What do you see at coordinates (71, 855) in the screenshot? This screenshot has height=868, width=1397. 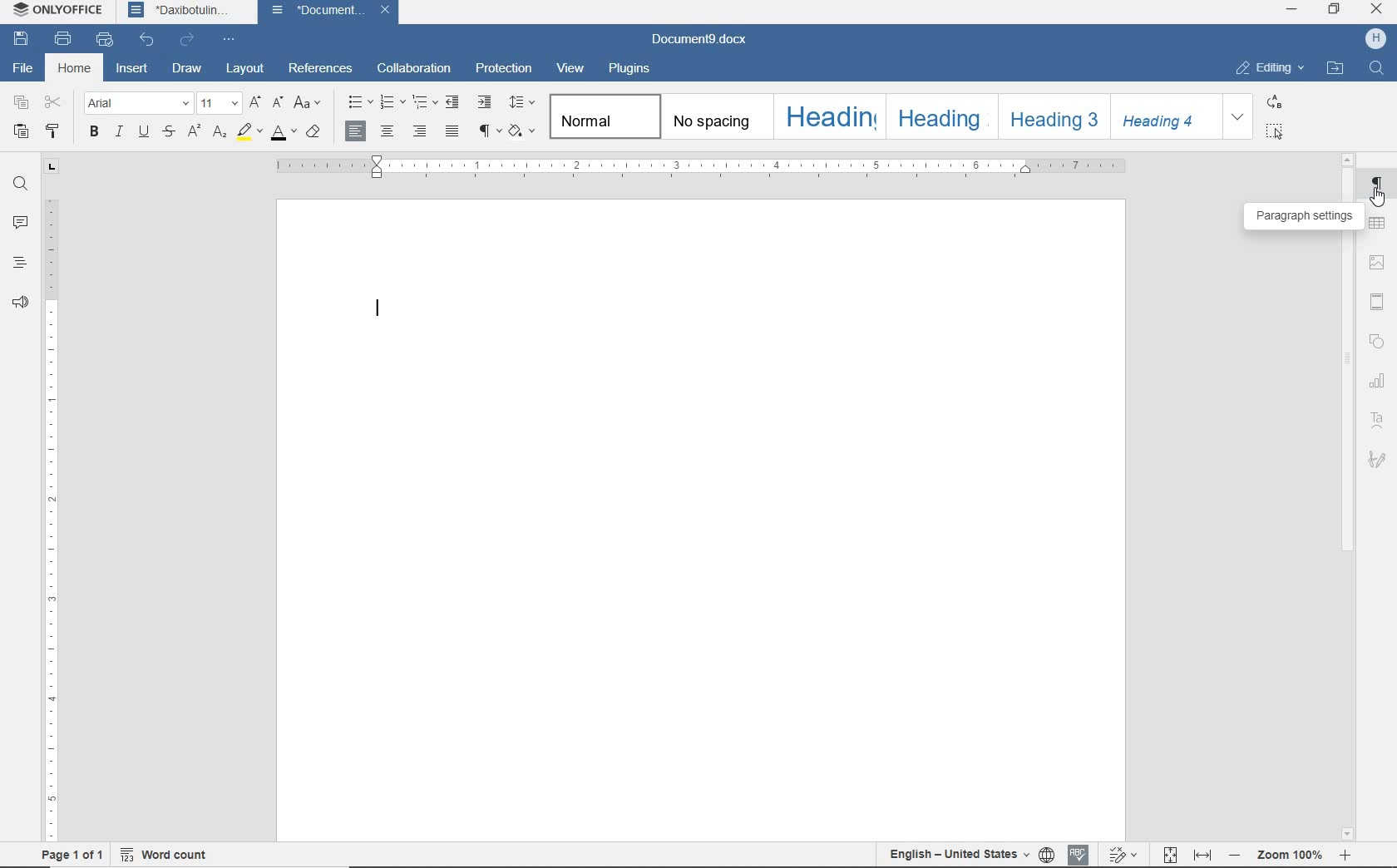 I see `page 1 of 1` at bounding box center [71, 855].